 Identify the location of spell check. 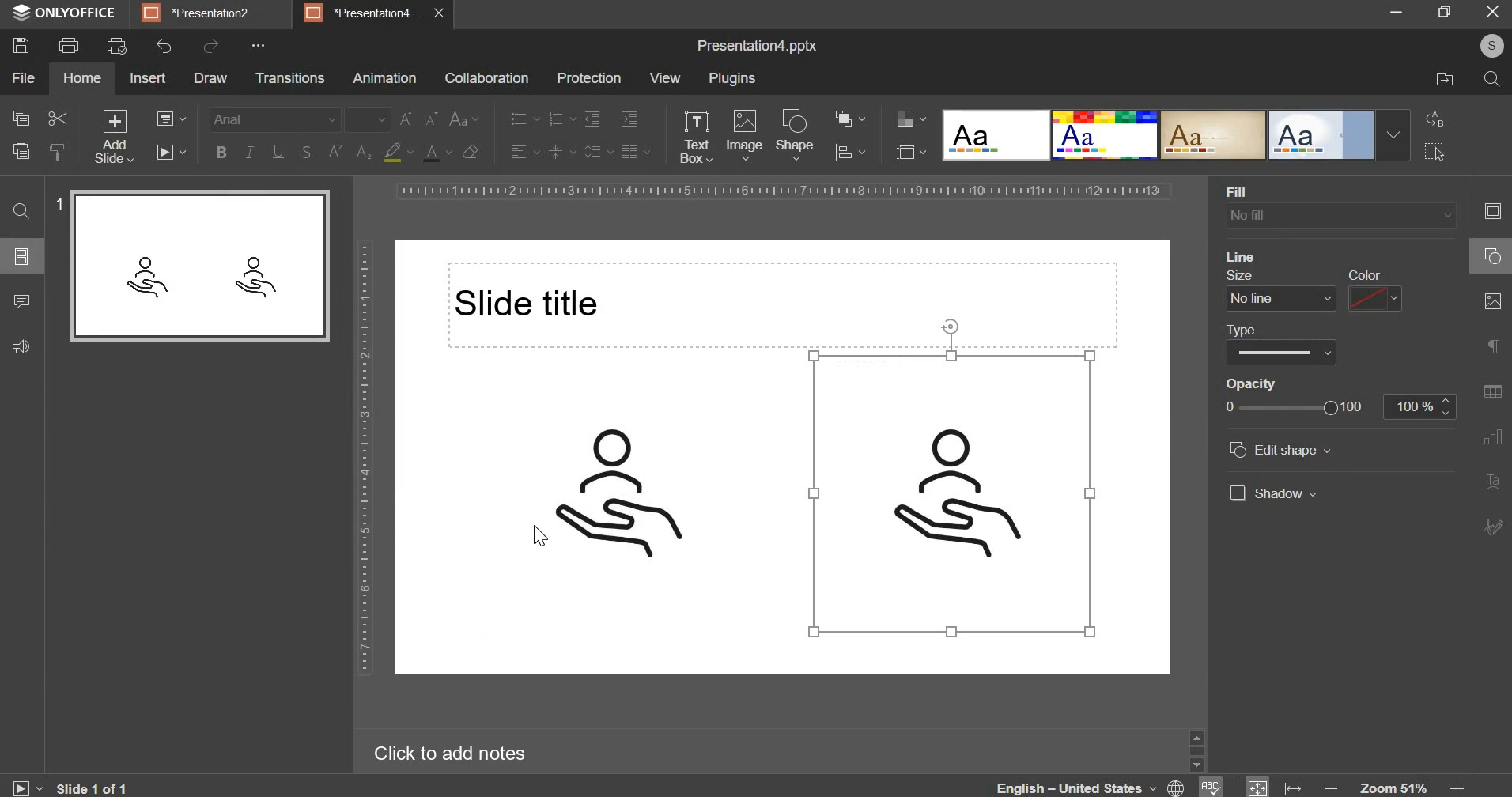
(1212, 787).